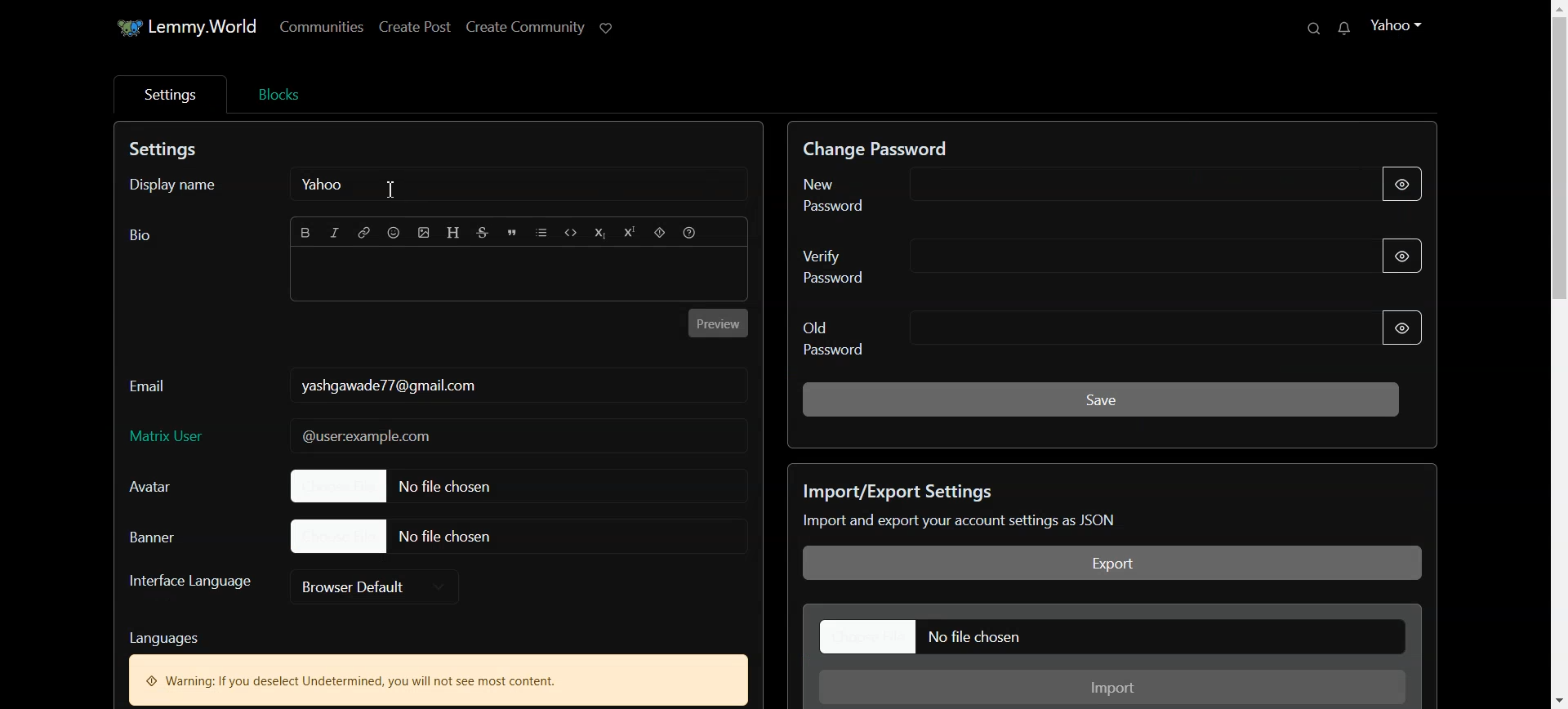 The image size is (1568, 709). I want to click on Emoji, so click(394, 233).